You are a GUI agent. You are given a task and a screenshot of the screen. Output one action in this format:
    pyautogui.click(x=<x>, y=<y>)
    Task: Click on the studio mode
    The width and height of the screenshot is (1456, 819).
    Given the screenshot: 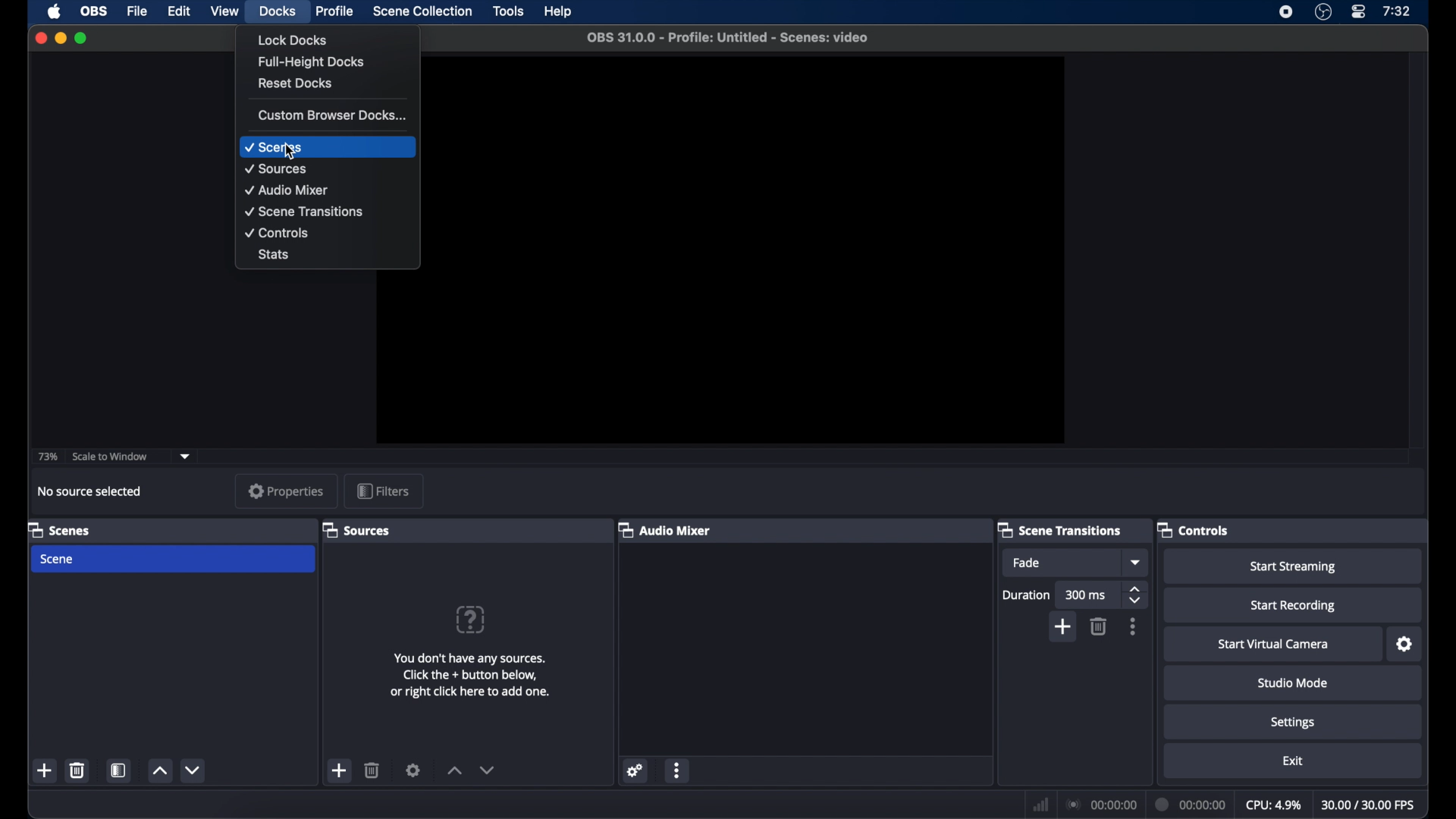 What is the action you would take?
    pyautogui.click(x=1293, y=683)
    